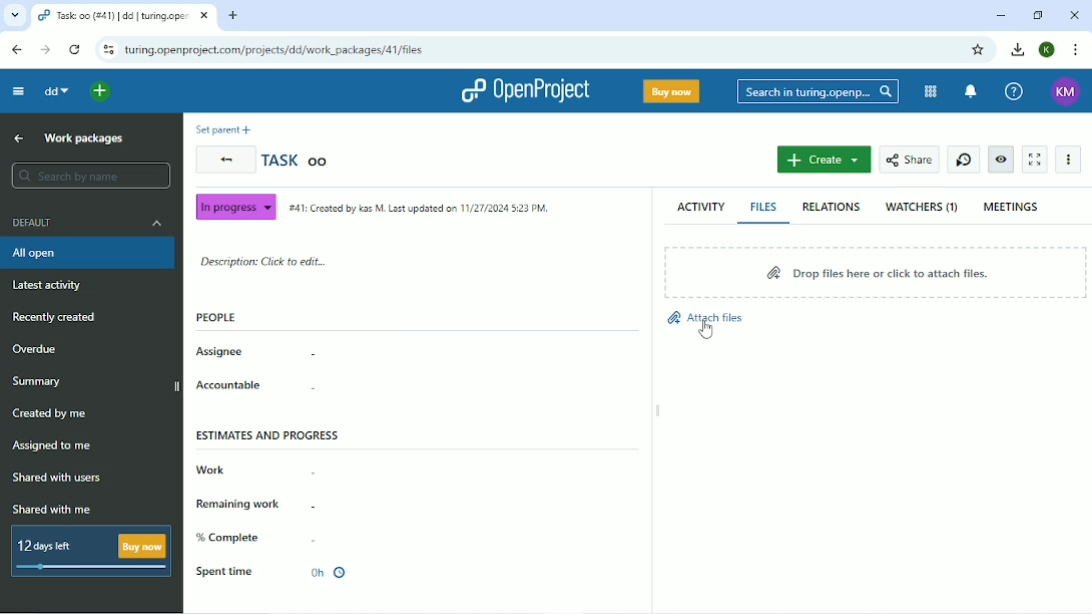 This screenshot has width=1092, height=614. I want to click on Unwatch work package, so click(1001, 159).